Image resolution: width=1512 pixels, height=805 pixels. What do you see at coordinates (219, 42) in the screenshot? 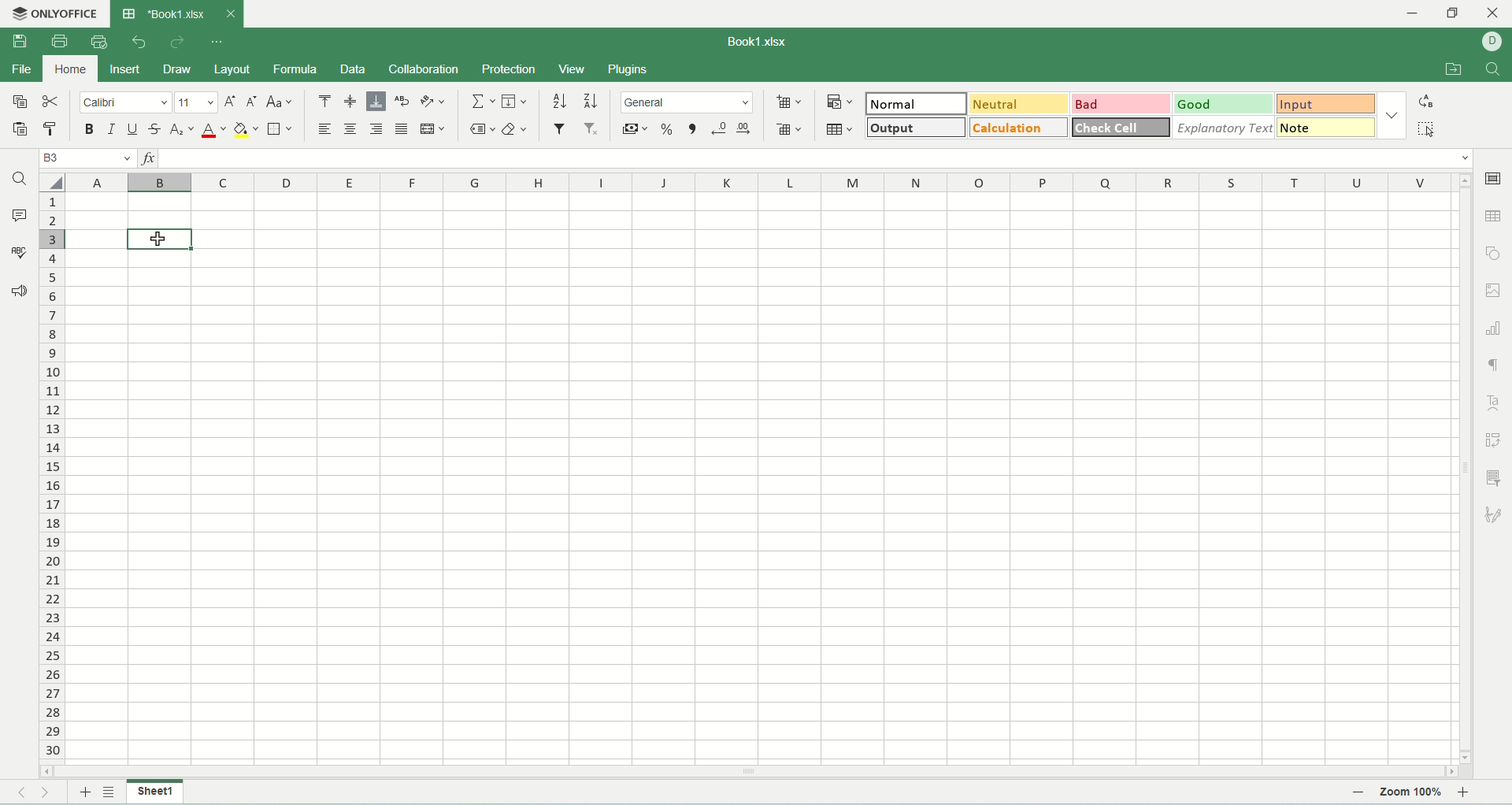
I see `cutomize quick access` at bounding box center [219, 42].